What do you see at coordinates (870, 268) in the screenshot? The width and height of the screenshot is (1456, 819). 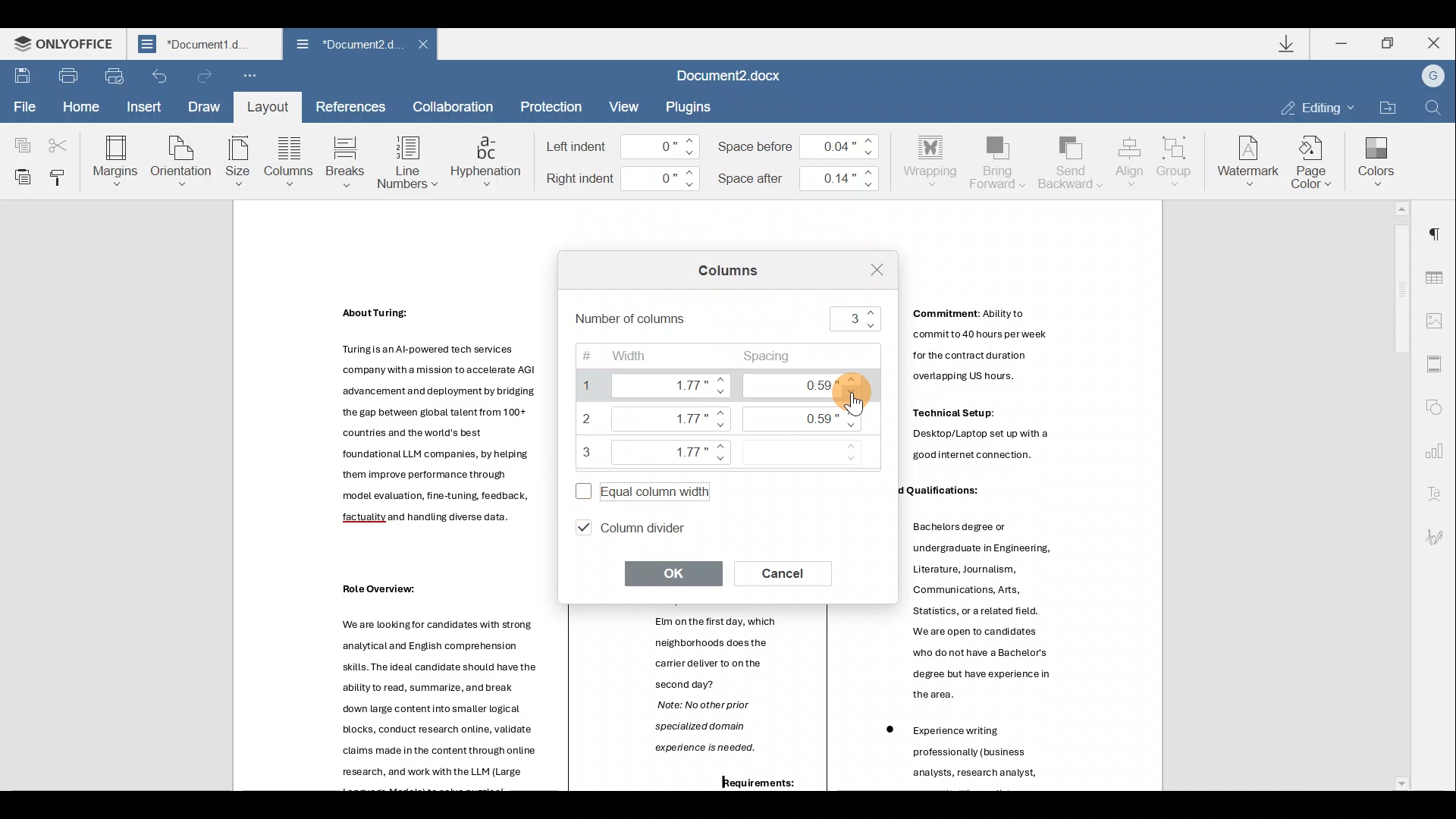 I see `Close` at bounding box center [870, 268].